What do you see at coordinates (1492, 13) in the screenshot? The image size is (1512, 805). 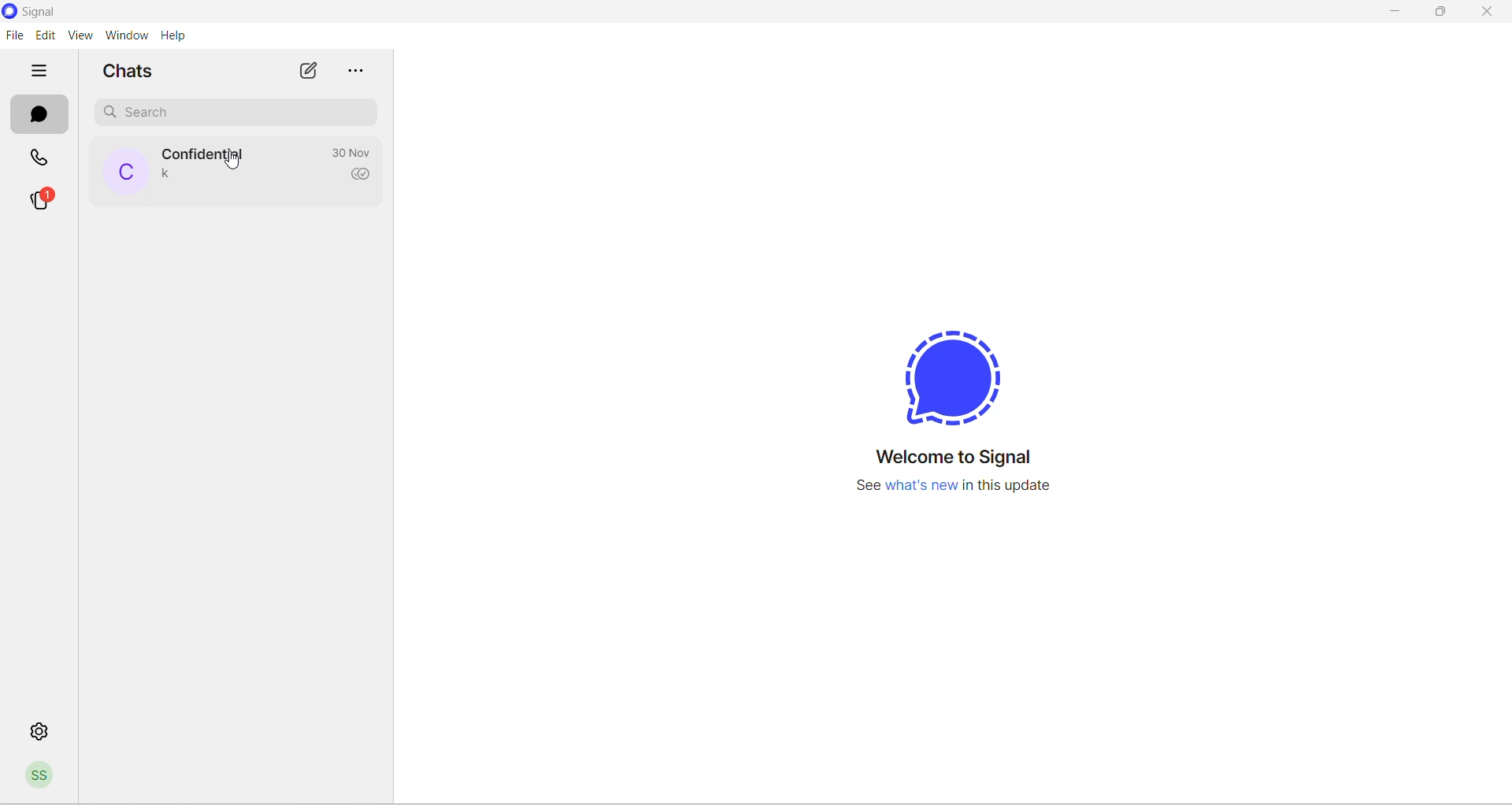 I see `close` at bounding box center [1492, 13].